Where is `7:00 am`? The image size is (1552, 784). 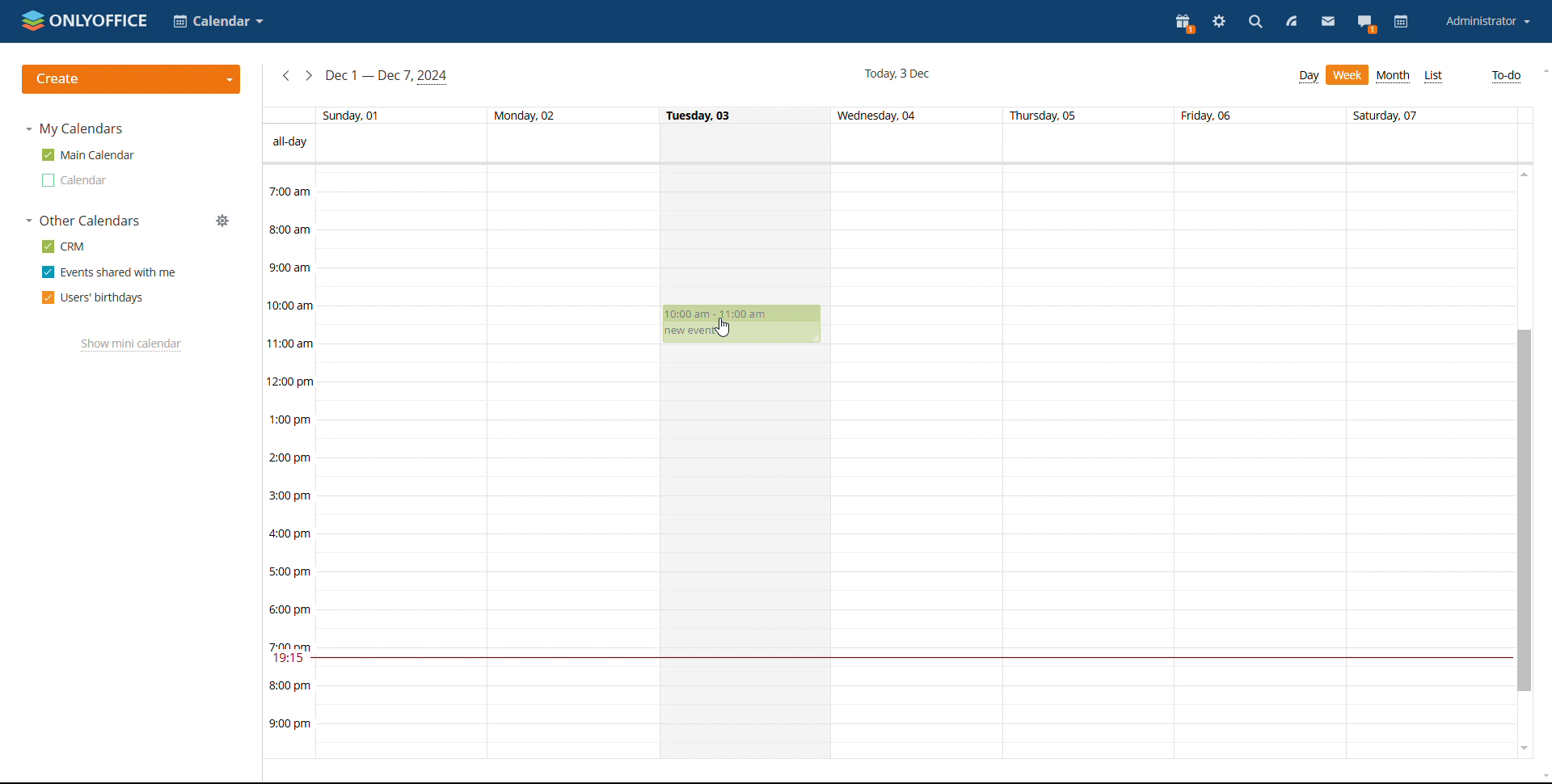 7:00 am is located at coordinates (289, 191).